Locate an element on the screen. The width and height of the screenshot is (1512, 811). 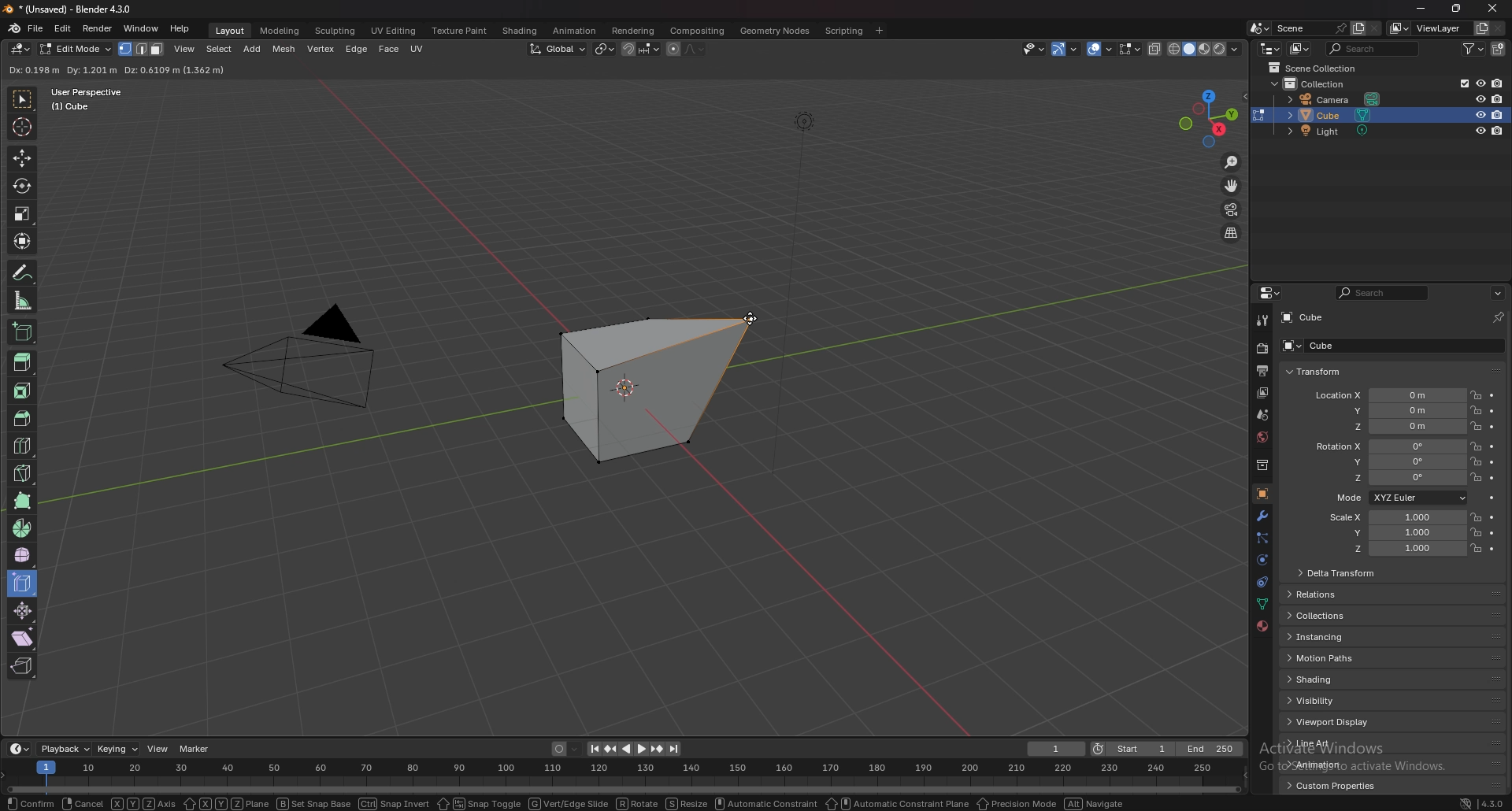
change object is located at coordinates (1258, 115).